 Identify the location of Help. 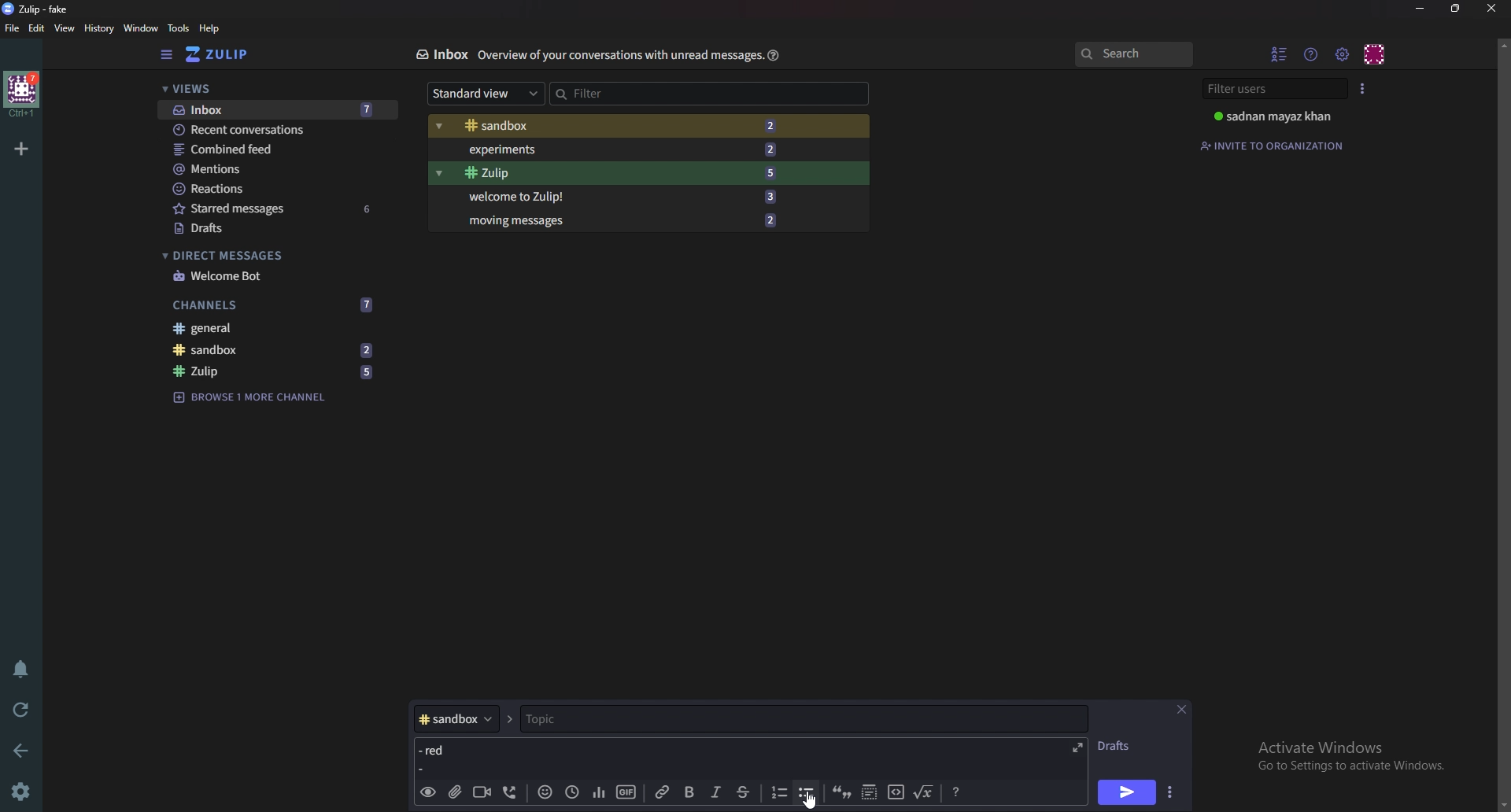
(774, 54).